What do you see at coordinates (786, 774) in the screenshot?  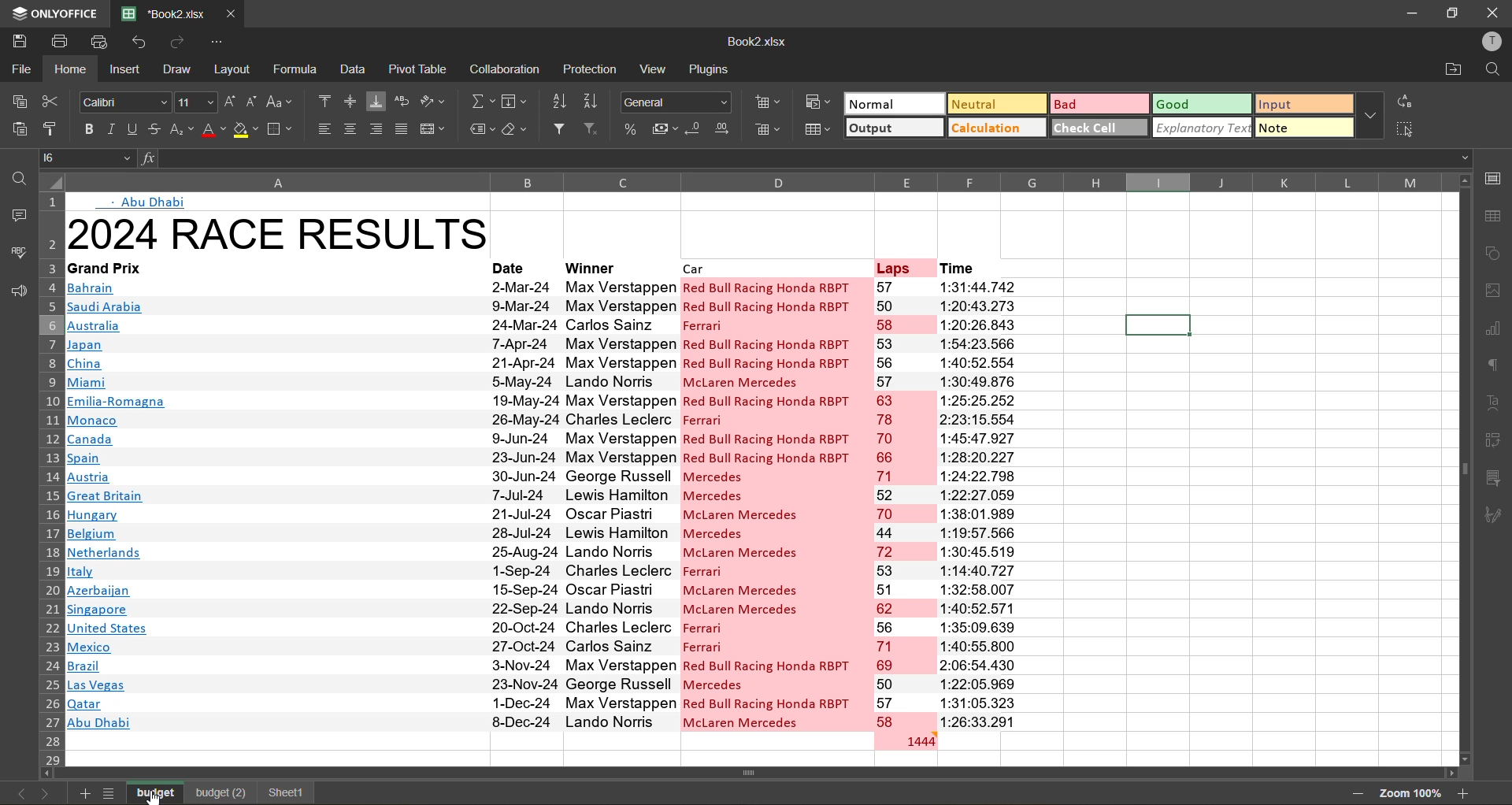 I see `scroll bar` at bounding box center [786, 774].